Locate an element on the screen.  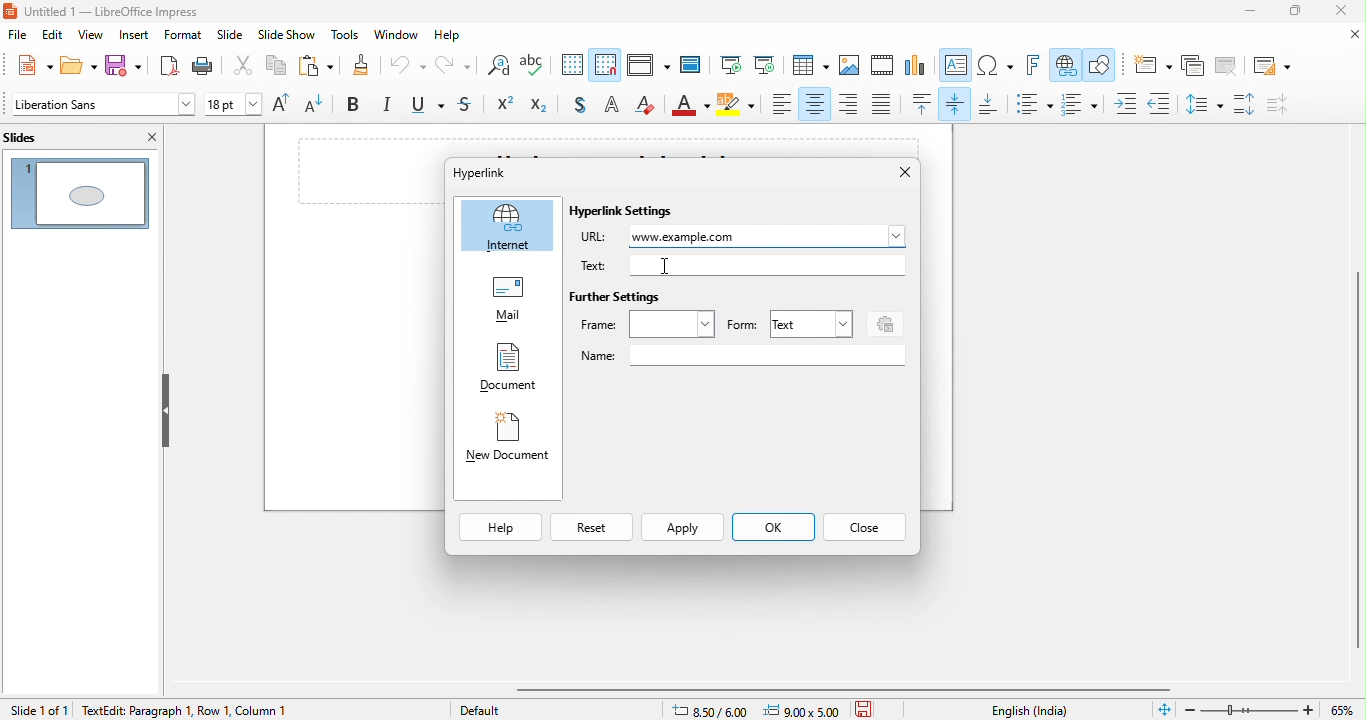
strikethrough is located at coordinates (469, 106).